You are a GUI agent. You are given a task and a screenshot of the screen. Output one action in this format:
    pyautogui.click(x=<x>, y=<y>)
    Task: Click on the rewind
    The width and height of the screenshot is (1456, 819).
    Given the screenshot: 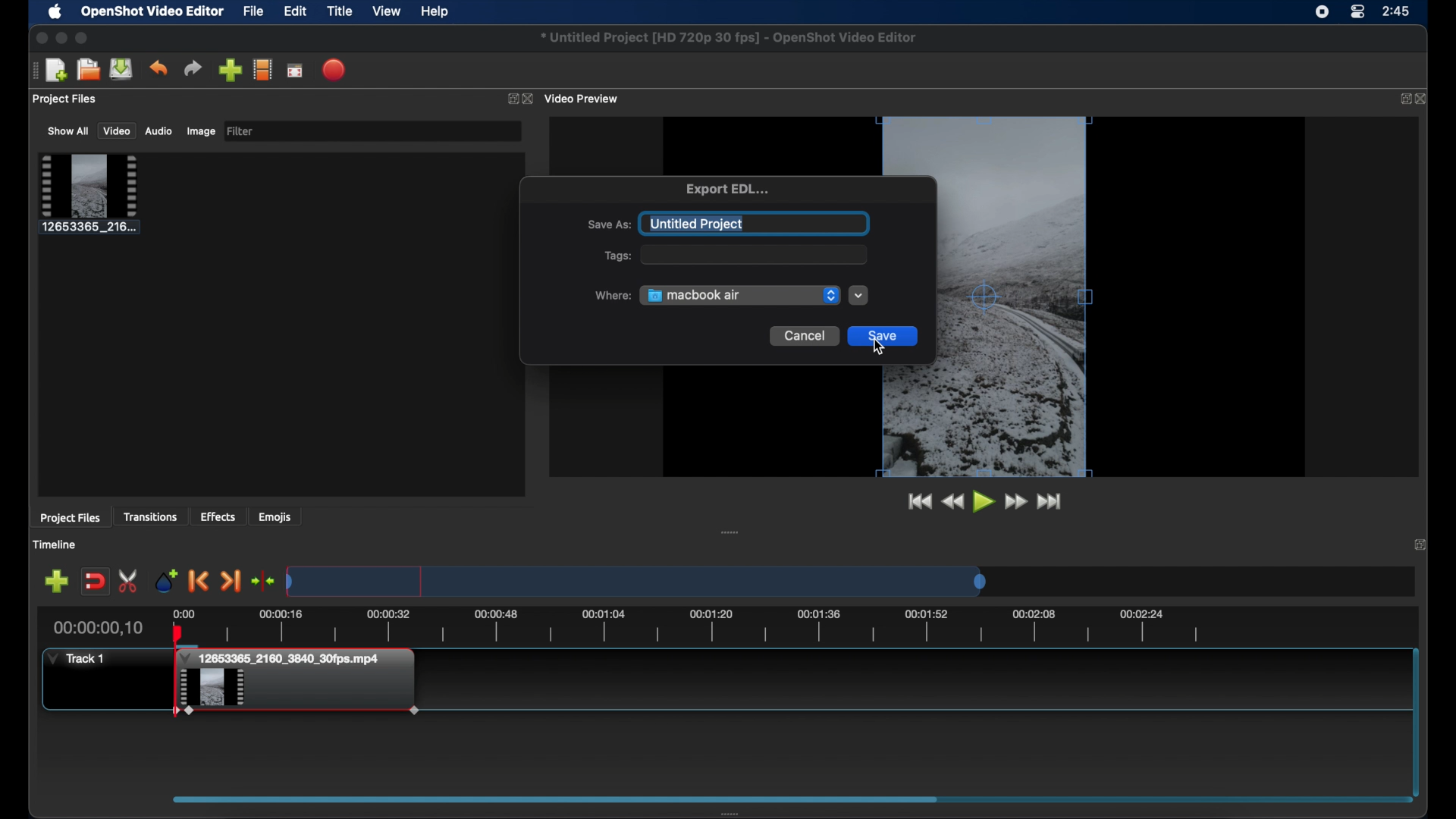 What is the action you would take?
    pyautogui.click(x=953, y=501)
    